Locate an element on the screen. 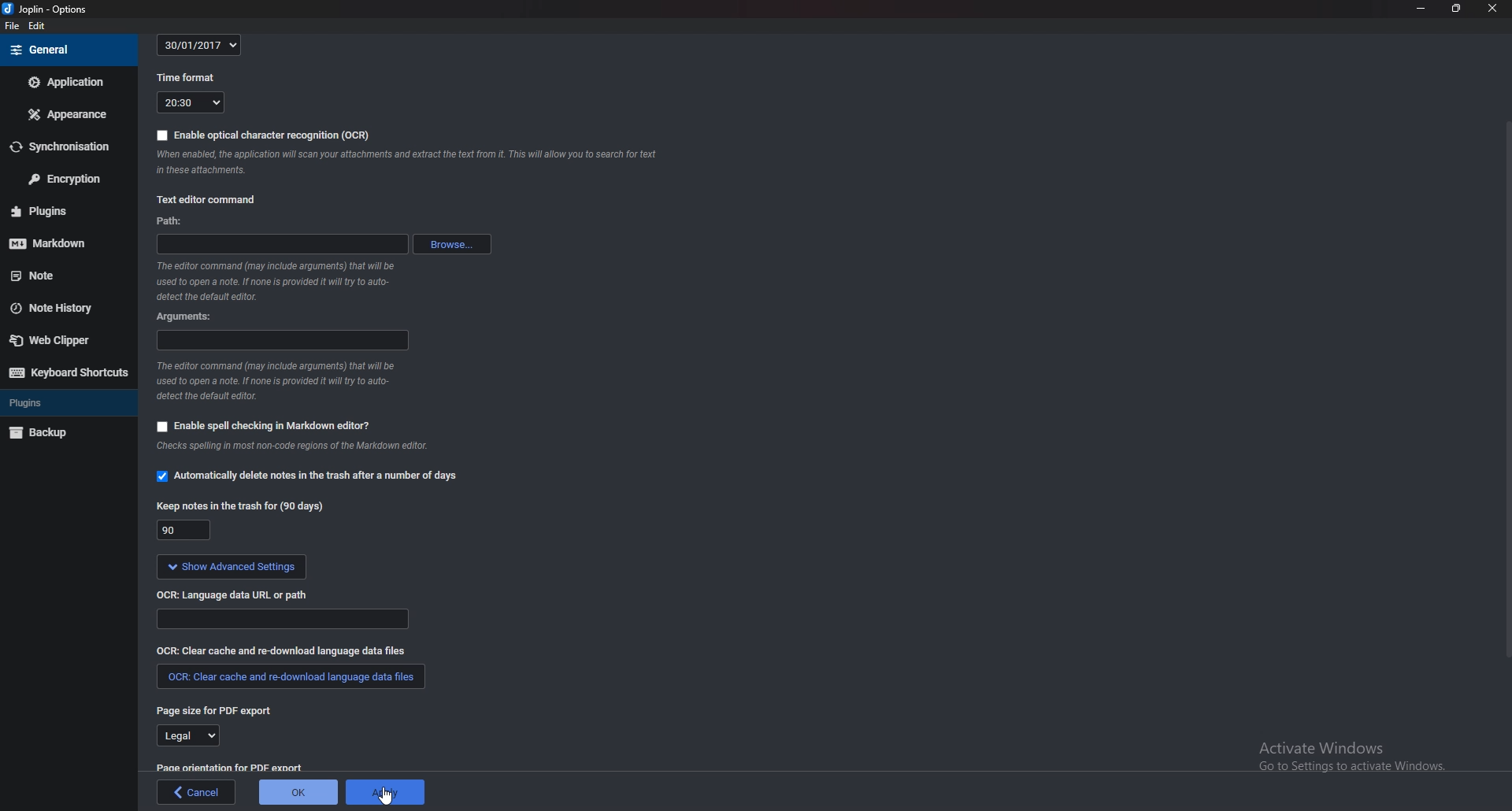 The height and width of the screenshot is (811, 1512). browse is located at coordinates (452, 243).